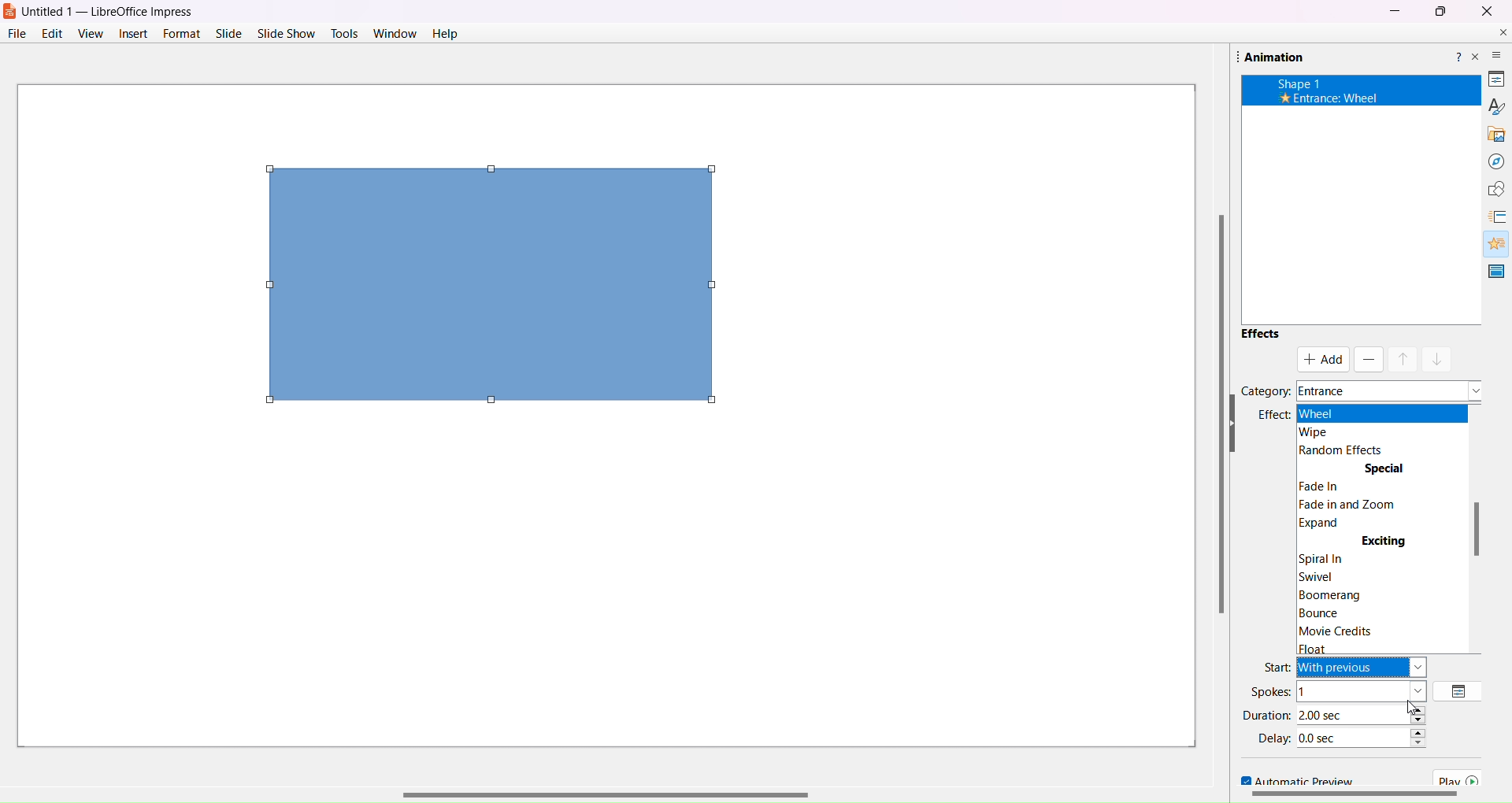  Describe the element at coordinates (1490, 161) in the screenshot. I see `Navigator` at that location.